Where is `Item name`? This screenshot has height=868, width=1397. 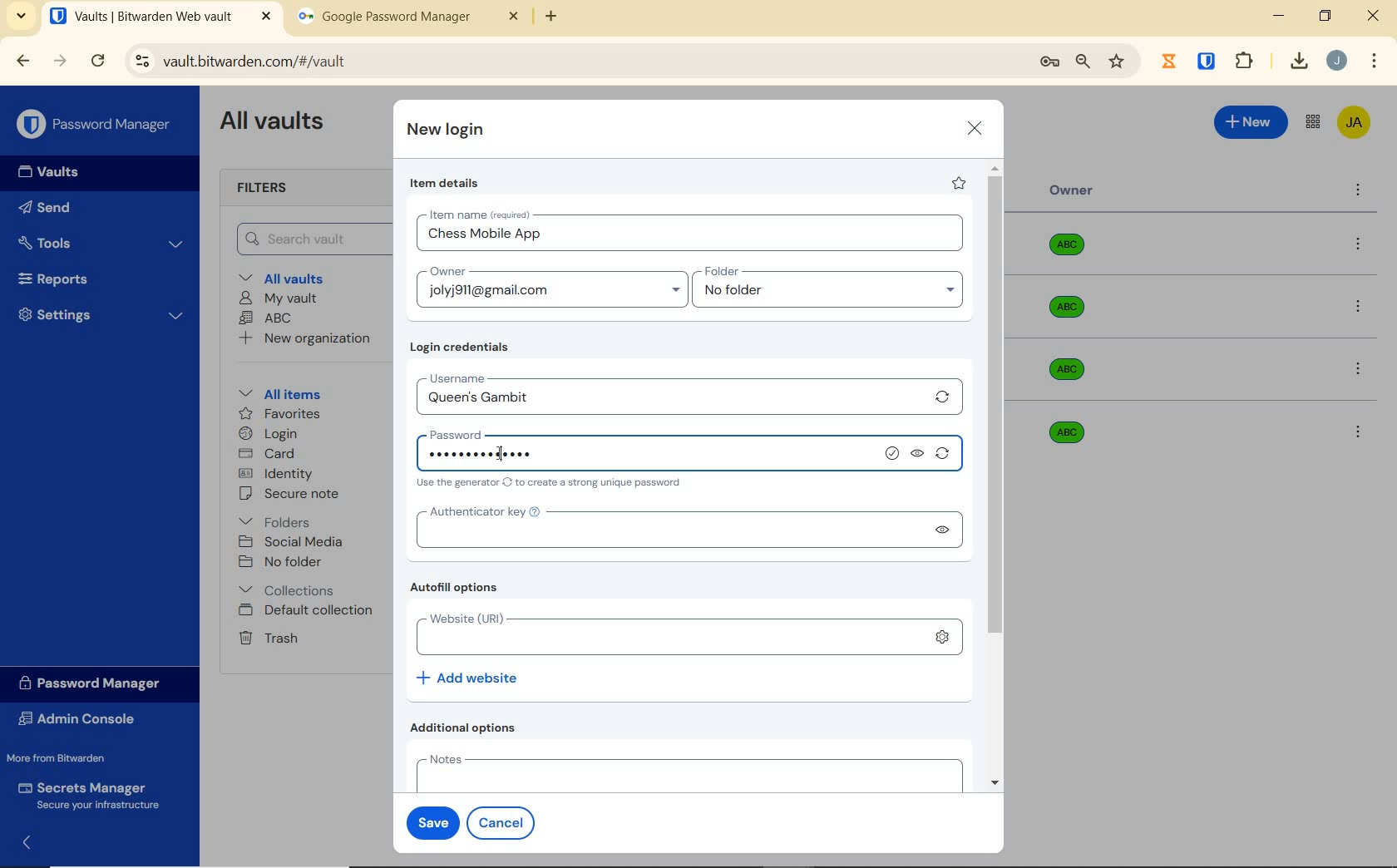
Item name is located at coordinates (481, 215).